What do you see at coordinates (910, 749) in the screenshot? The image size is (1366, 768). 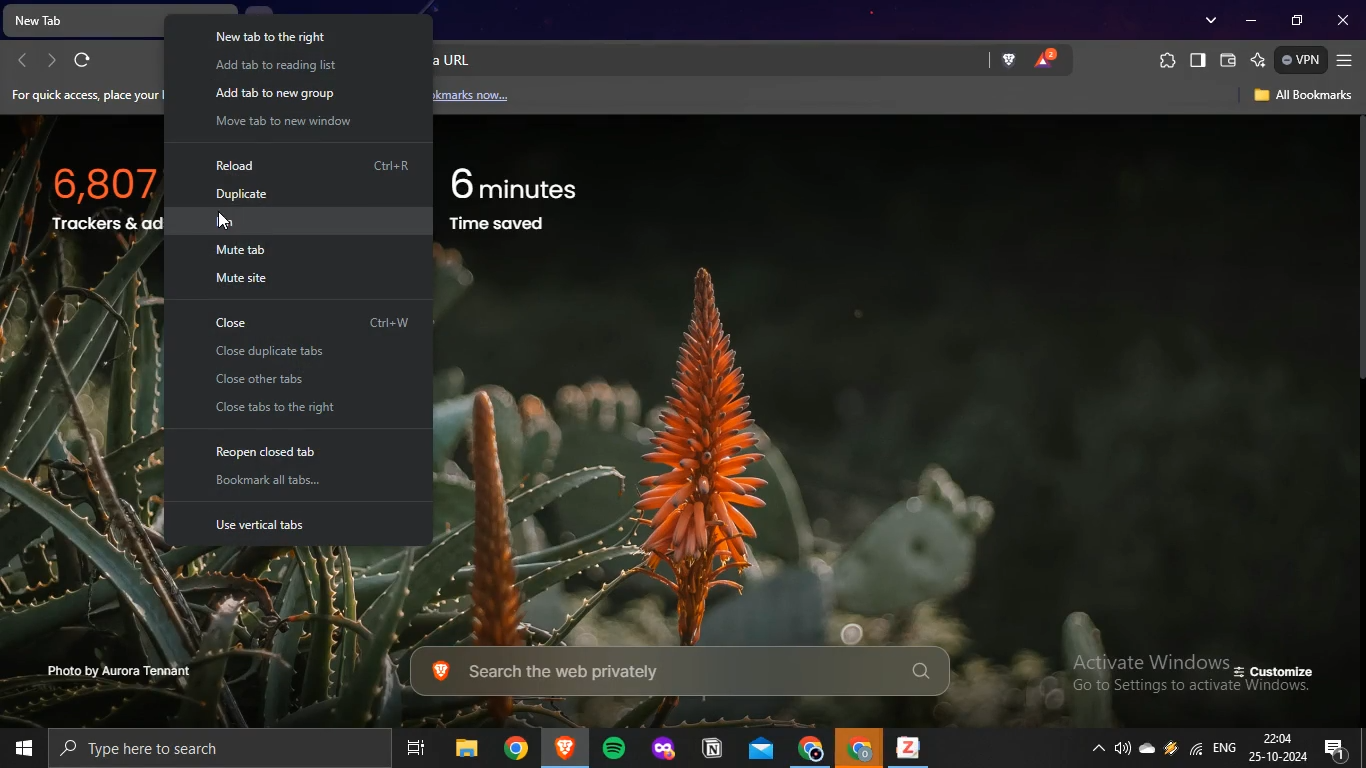 I see `zotero` at bounding box center [910, 749].